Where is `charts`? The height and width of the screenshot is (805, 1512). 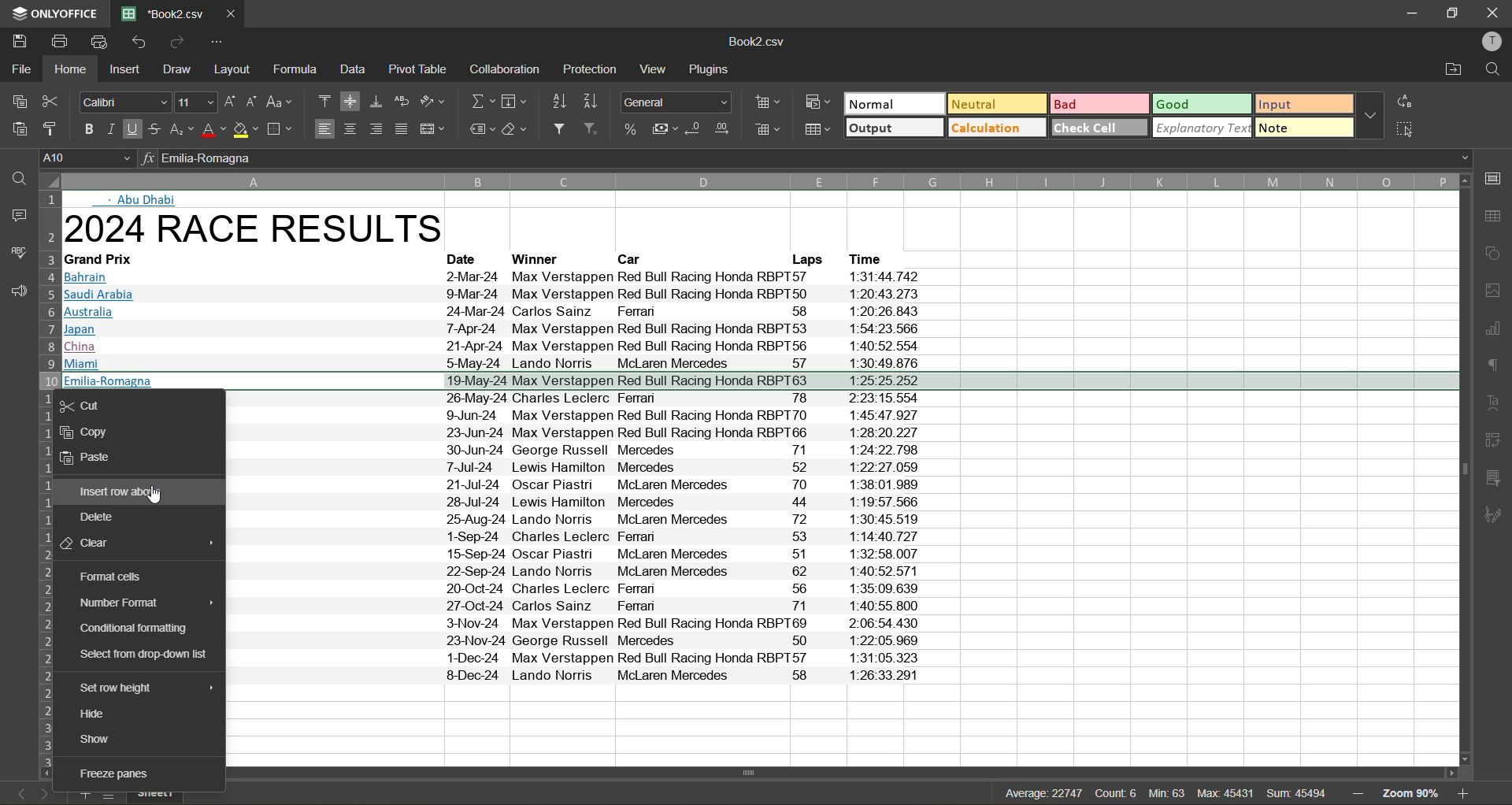
charts is located at coordinates (1498, 332).